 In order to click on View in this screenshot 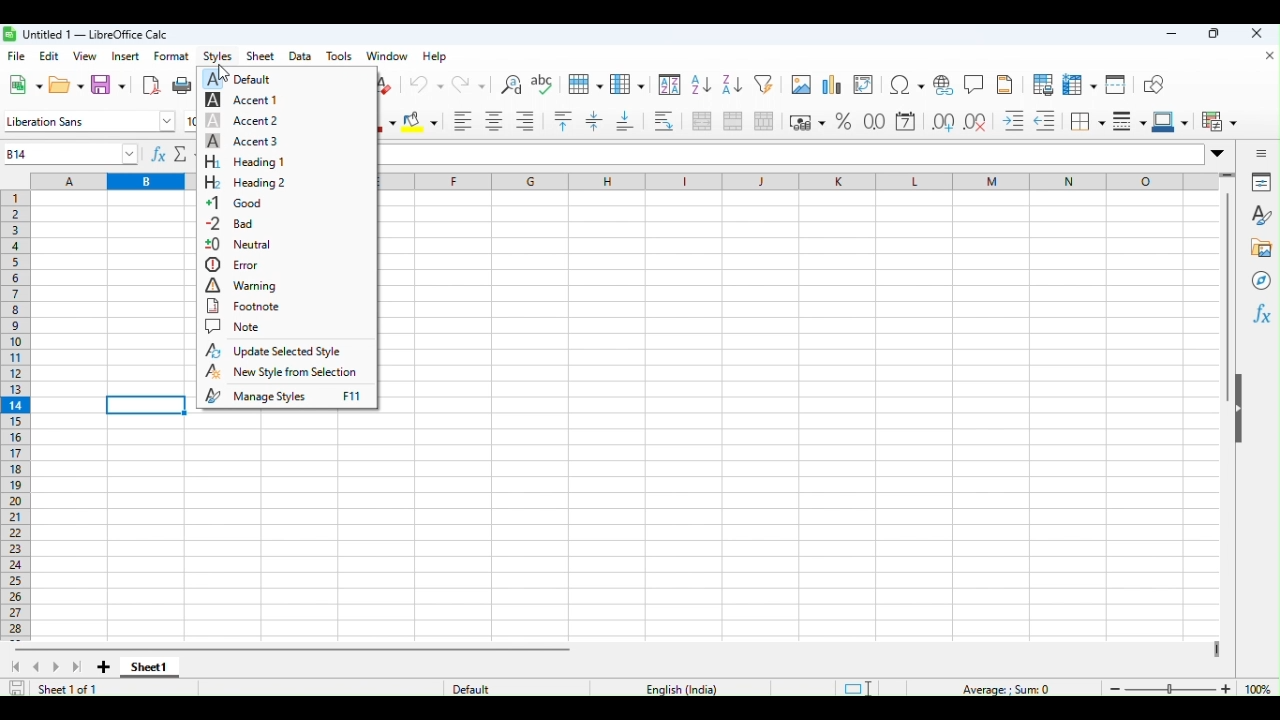, I will do `click(86, 54)`.